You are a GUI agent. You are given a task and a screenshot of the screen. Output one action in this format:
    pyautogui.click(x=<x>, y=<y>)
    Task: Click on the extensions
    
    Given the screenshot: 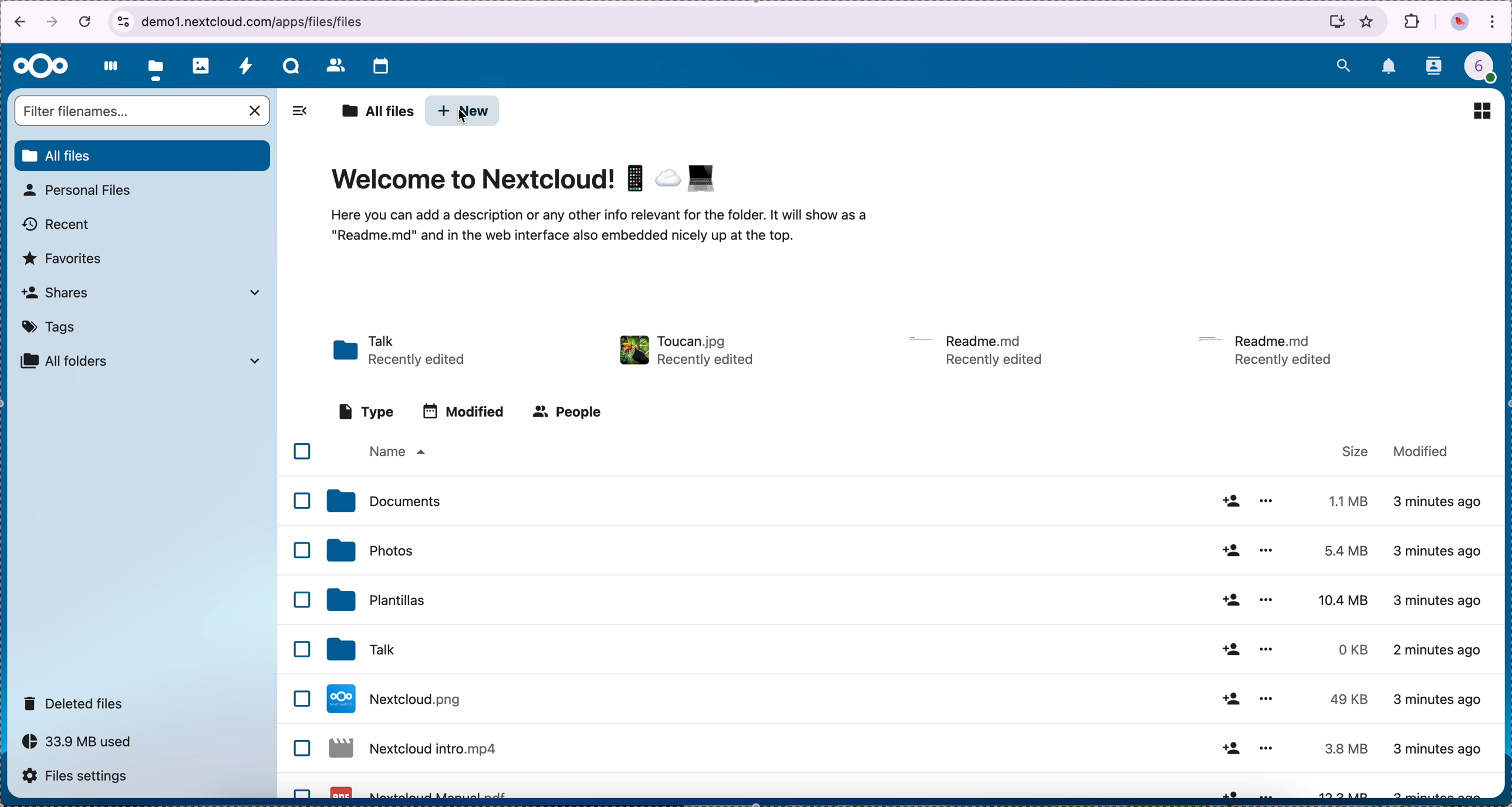 What is the action you would take?
    pyautogui.click(x=1413, y=21)
    